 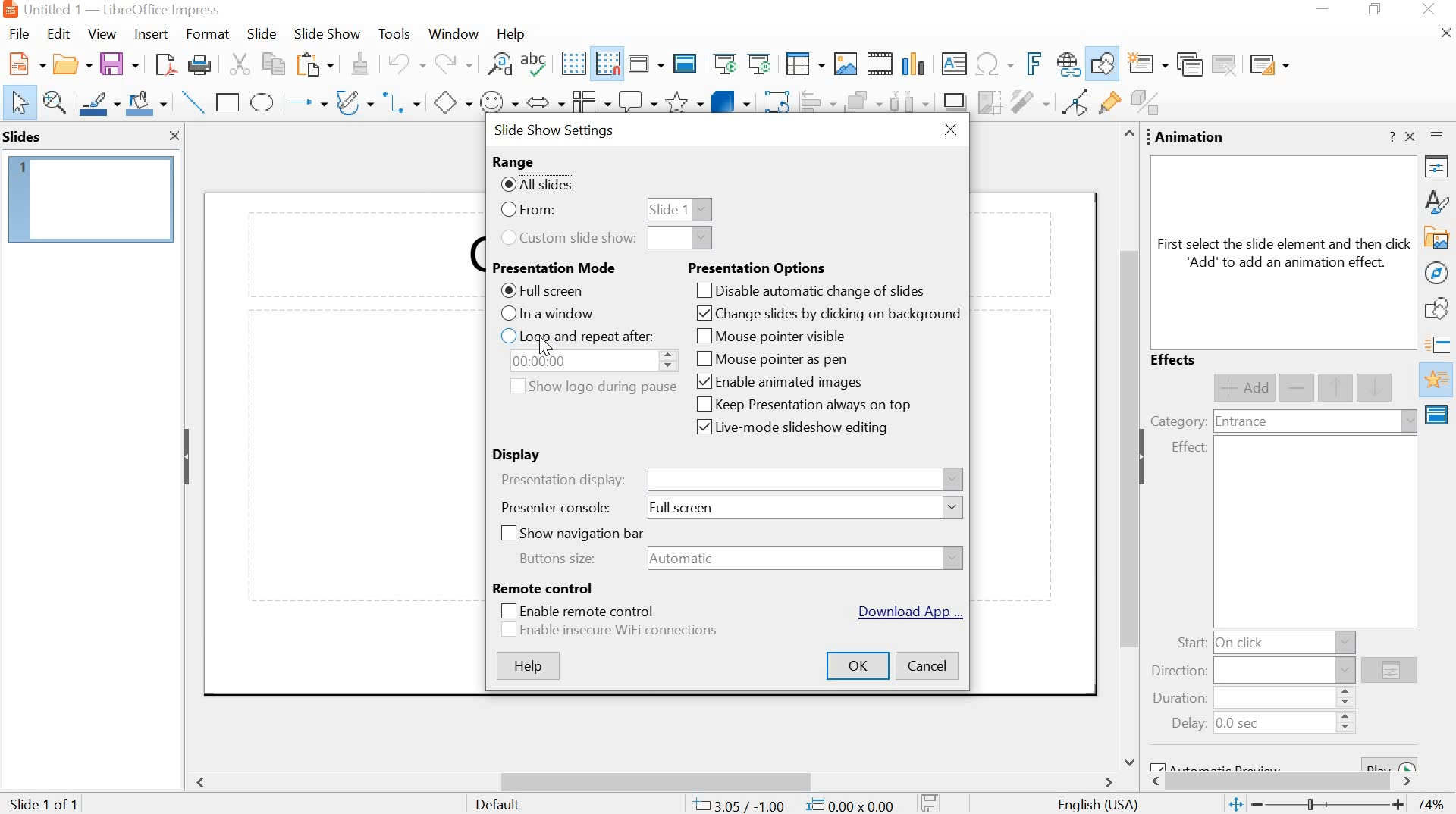 I want to click on language, so click(x=1099, y=806).